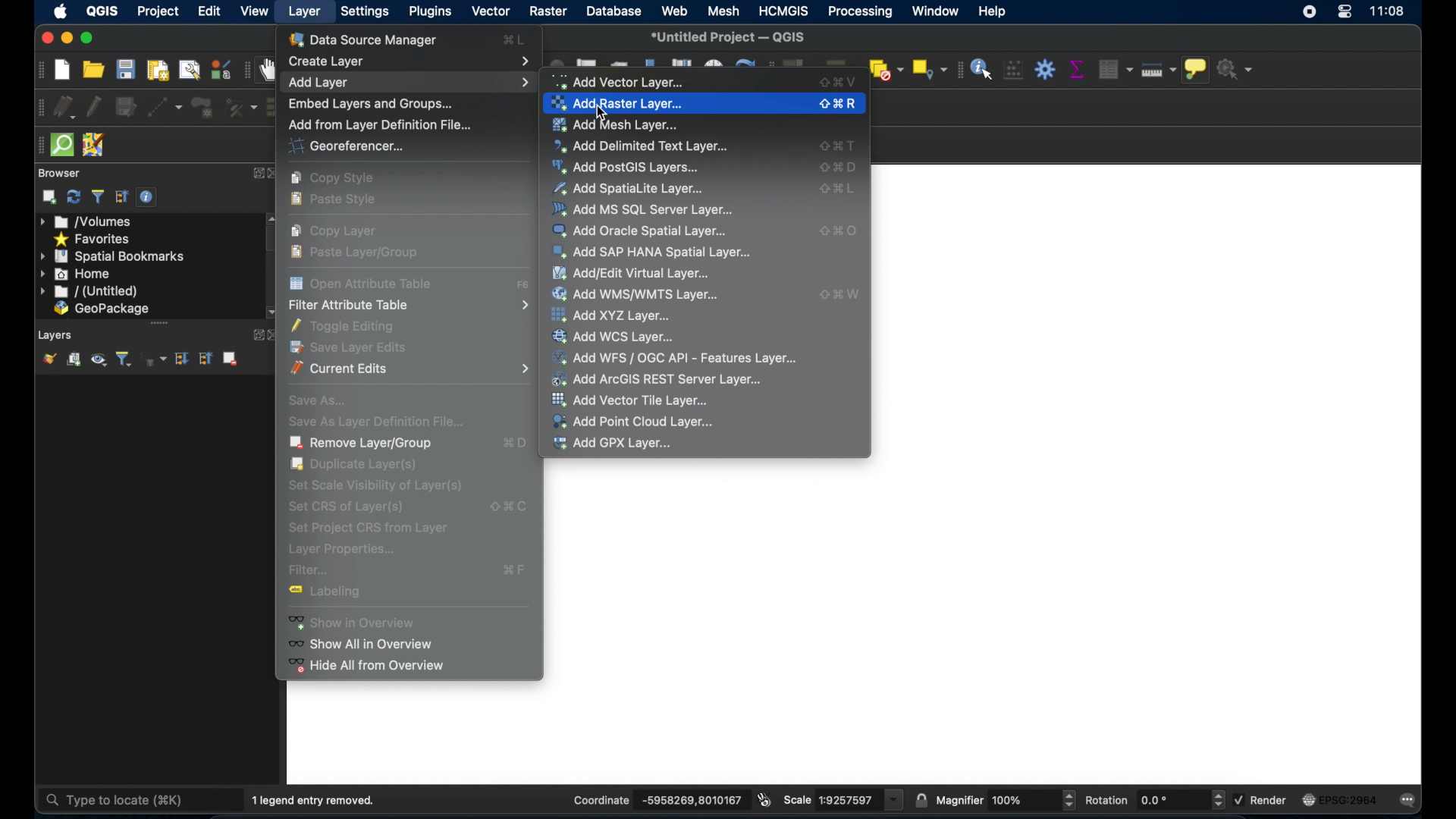 The image size is (1456, 819). What do you see at coordinates (87, 38) in the screenshot?
I see `maximize` at bounding box center [87, 38].